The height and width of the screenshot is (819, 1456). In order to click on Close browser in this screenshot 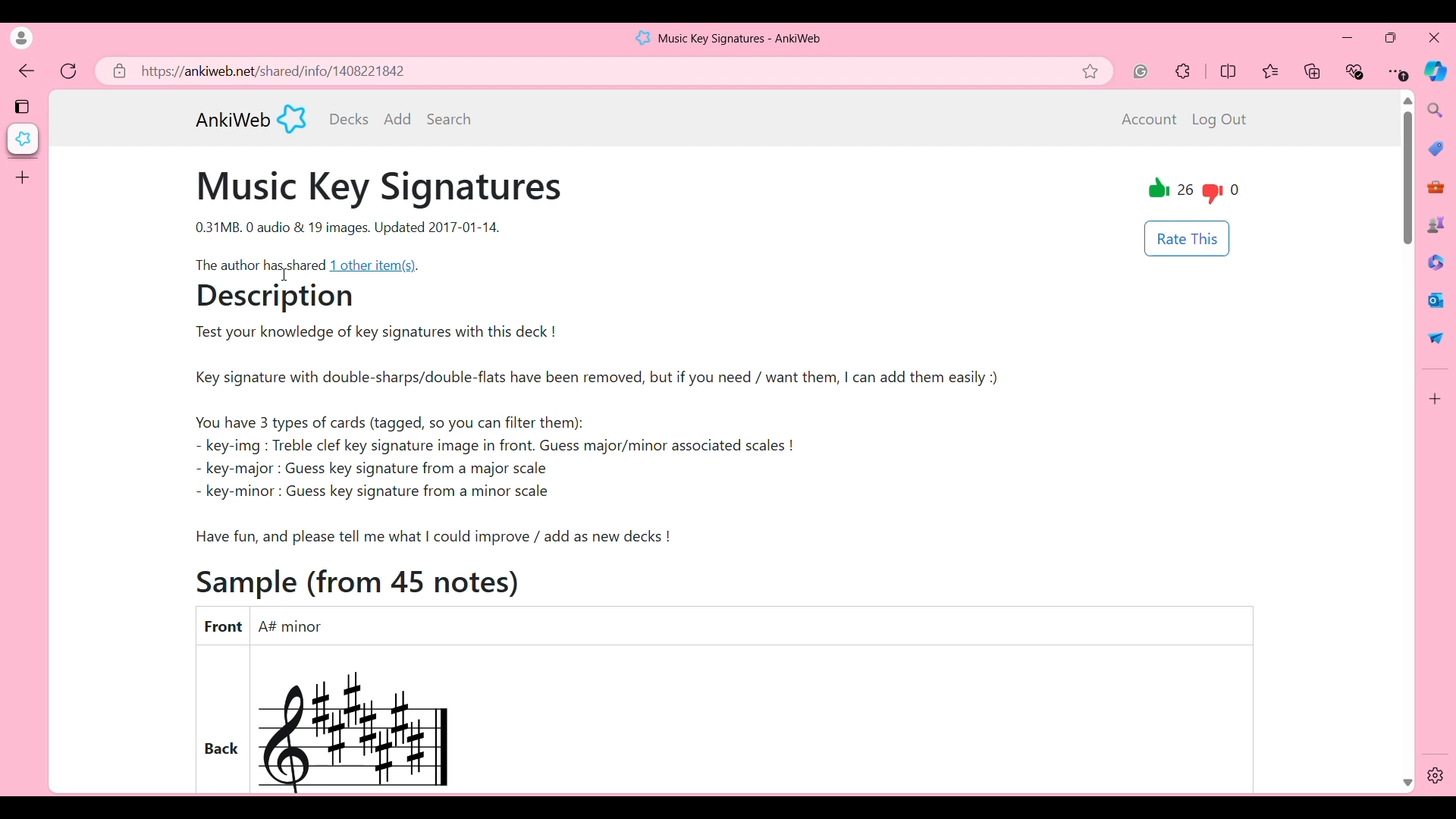, I will do `click(1434, 37)`.